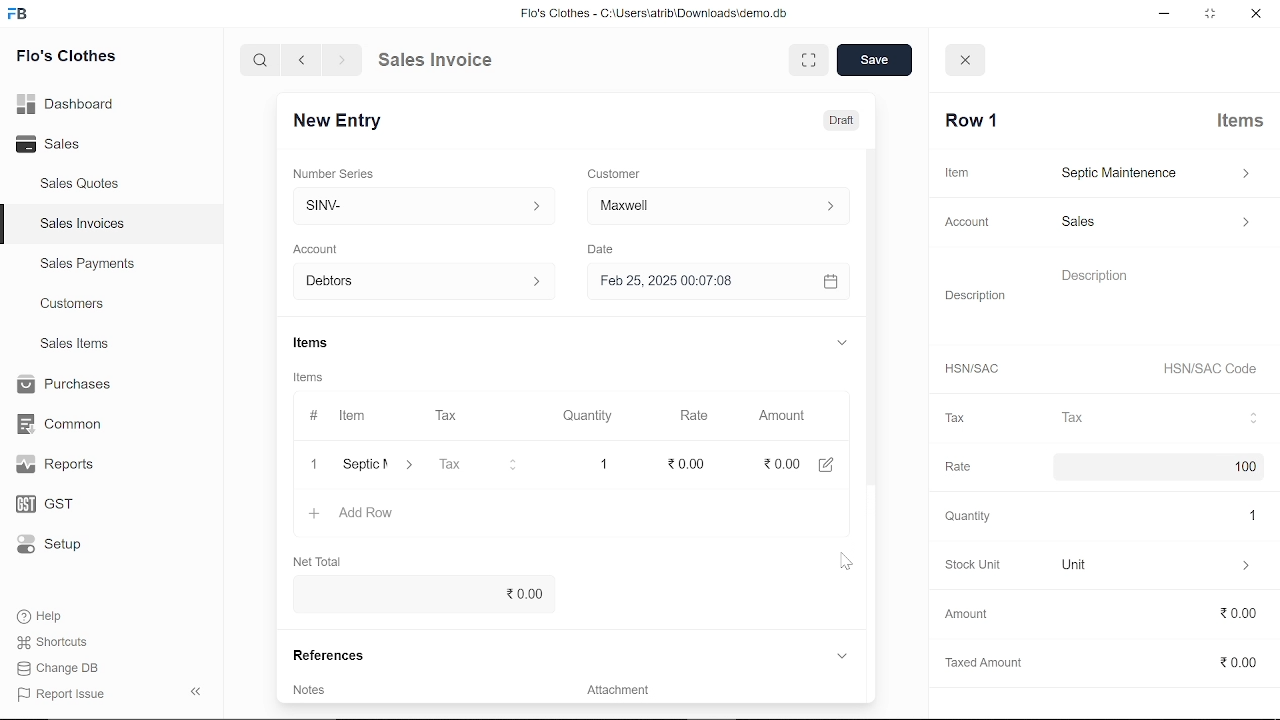 This screenshot has width=1280, height=720. What do you see at coordinates (875, 325) in the screenshot?
I see `vertical scrollbar` at bounding box center [875, 325].